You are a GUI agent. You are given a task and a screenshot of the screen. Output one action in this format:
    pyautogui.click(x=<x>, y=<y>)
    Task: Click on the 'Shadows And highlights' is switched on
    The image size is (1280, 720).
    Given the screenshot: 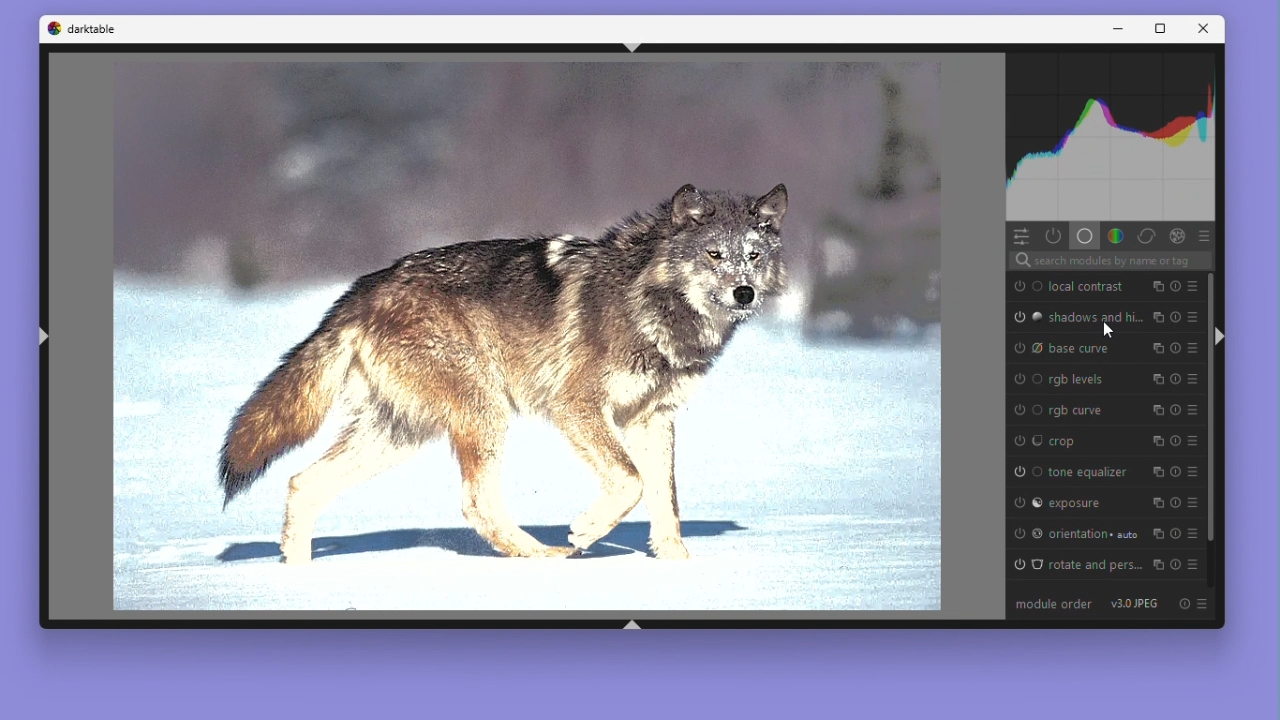 What is the action you would take?
    pyautogui.click(x=1025, y=317)
    